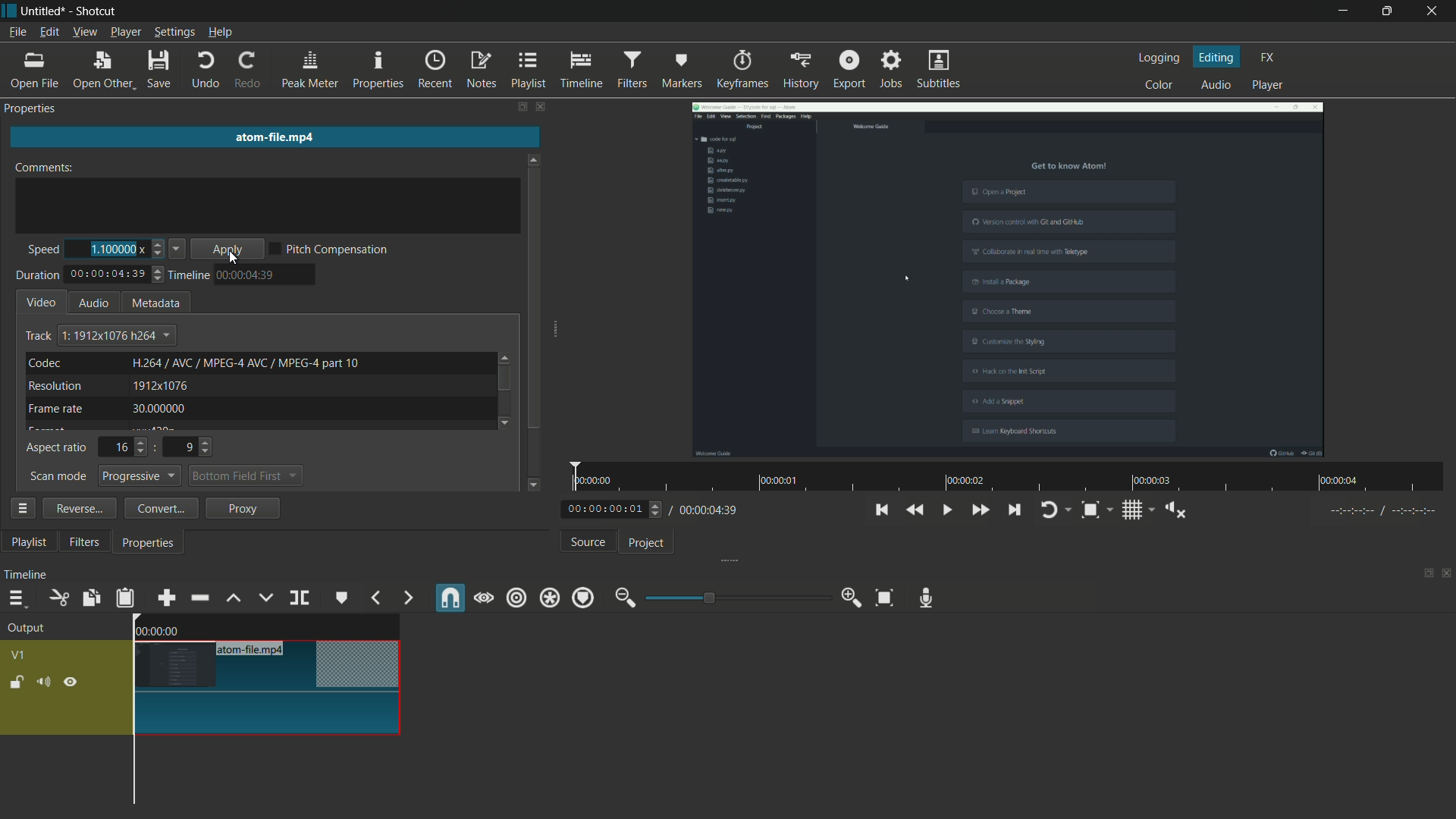 The width and height of the screenshot is (1456, 819). Describe the element at coordinates (42, 301) in the screenshot. I see `video` at that location.